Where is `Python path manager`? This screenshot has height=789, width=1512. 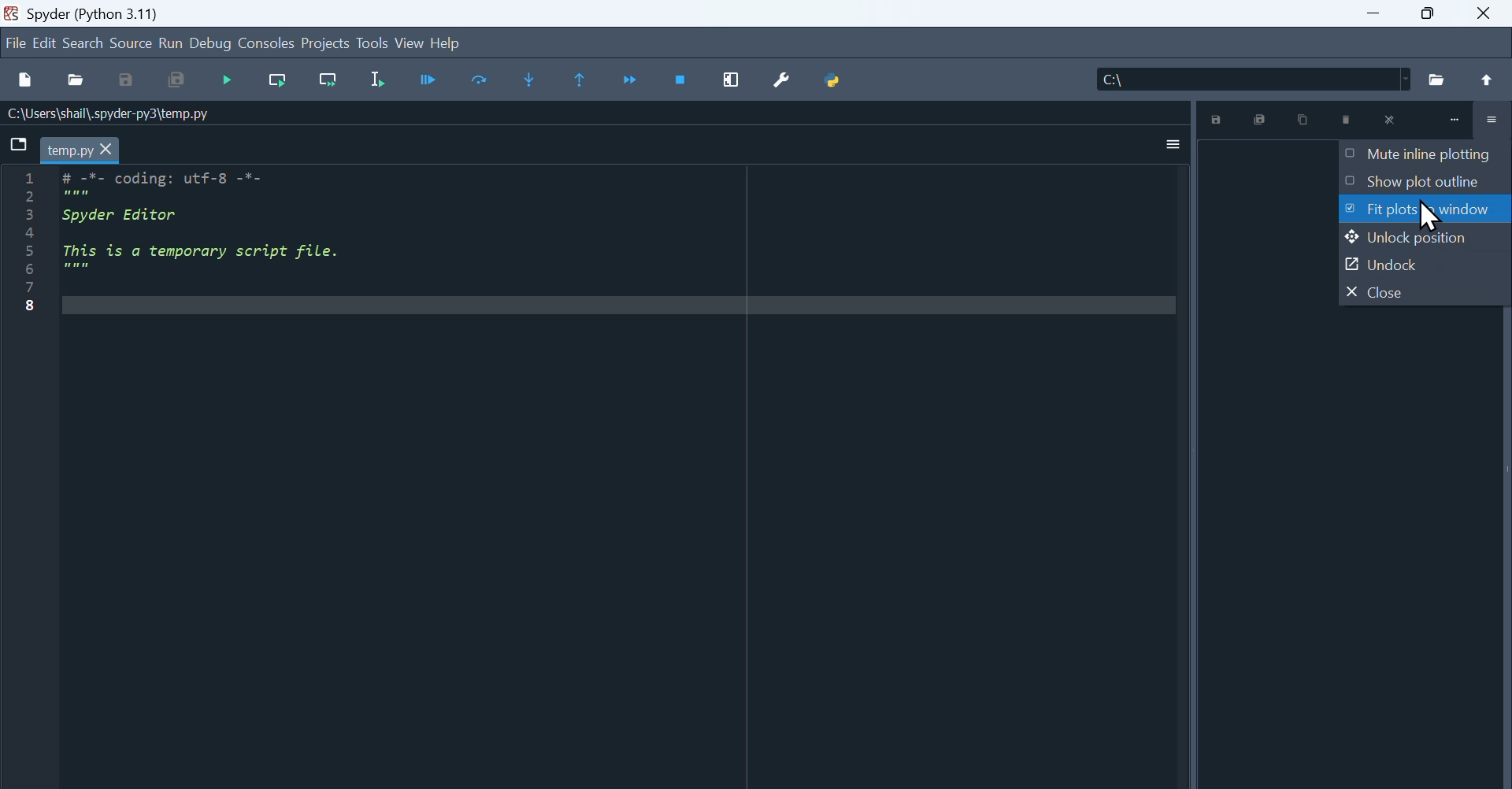
Python path manager is located at coordinates (836, 80).